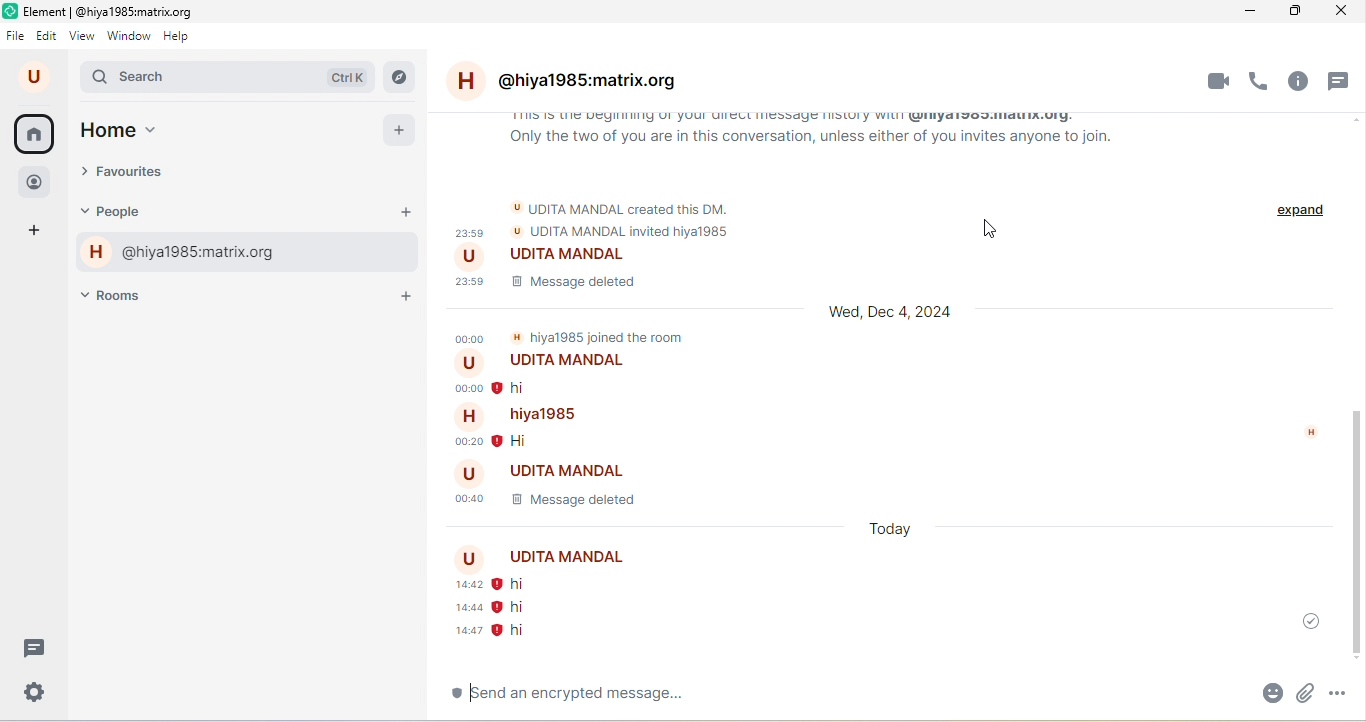  What do you see at coordinates (108, 10) in the screenshot?
I see `title` at bounding box center [108, 10].